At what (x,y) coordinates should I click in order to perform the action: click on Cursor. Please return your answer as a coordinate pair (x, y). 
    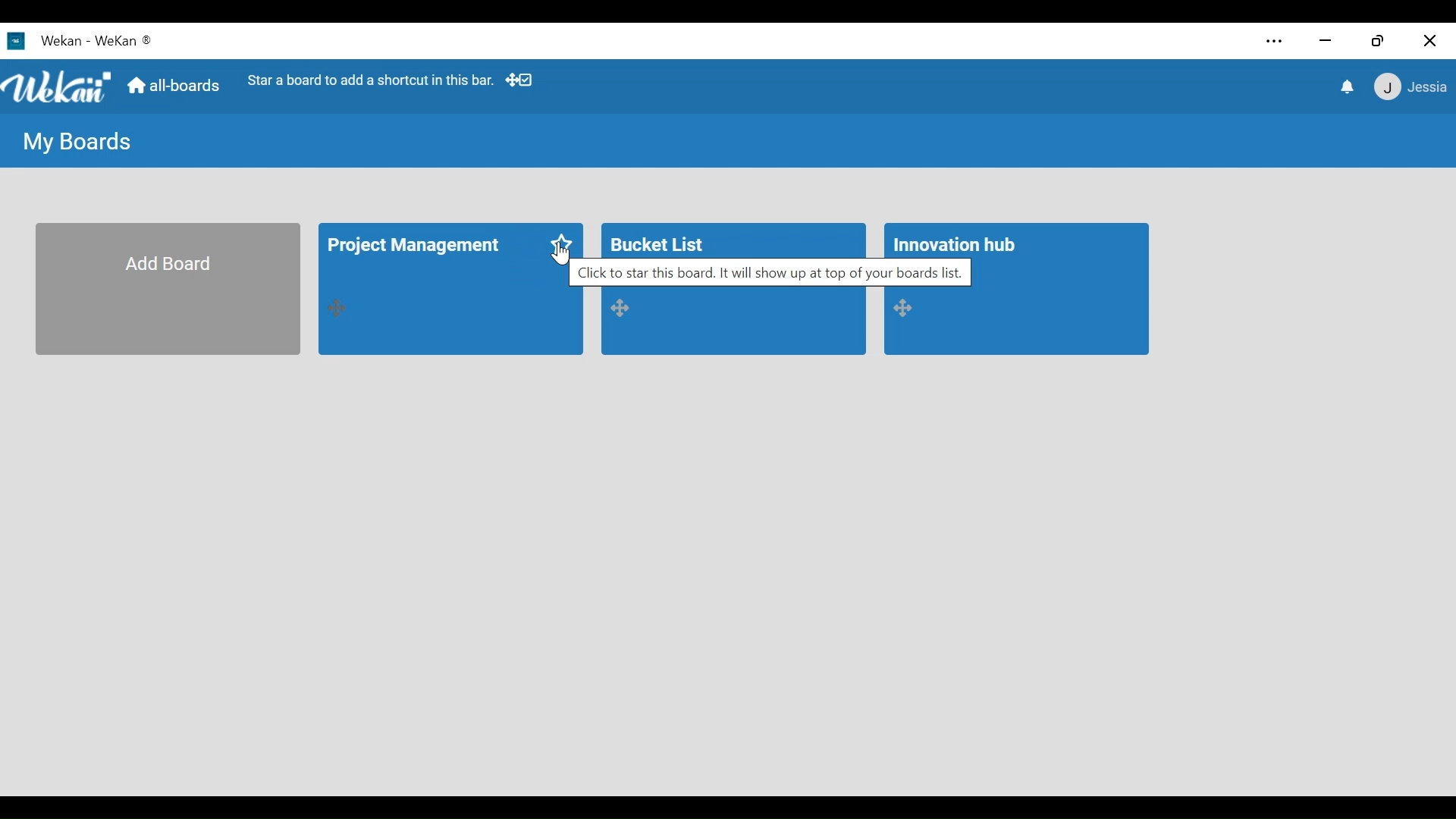
    Looking at the image, I should click on (553, 256).